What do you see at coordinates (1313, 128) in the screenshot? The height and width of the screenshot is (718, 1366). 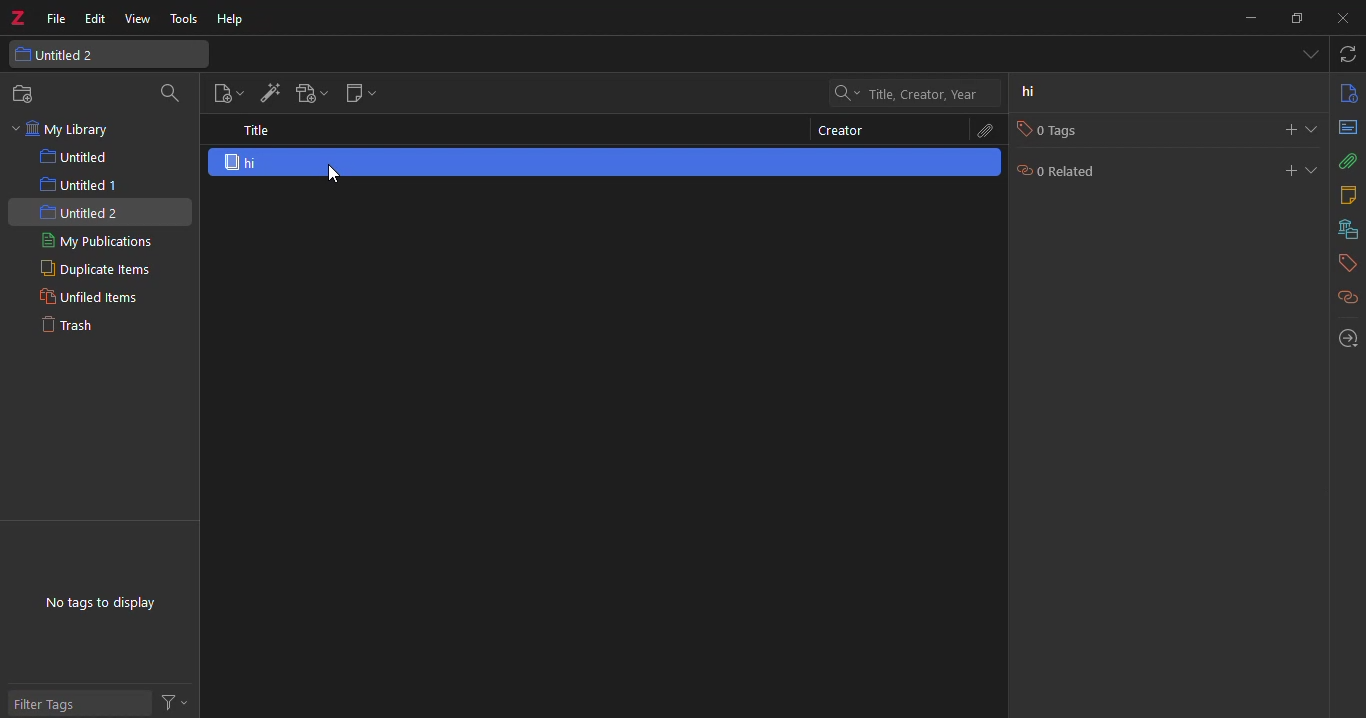 I see `expand` at bounding box center [1313, 128].